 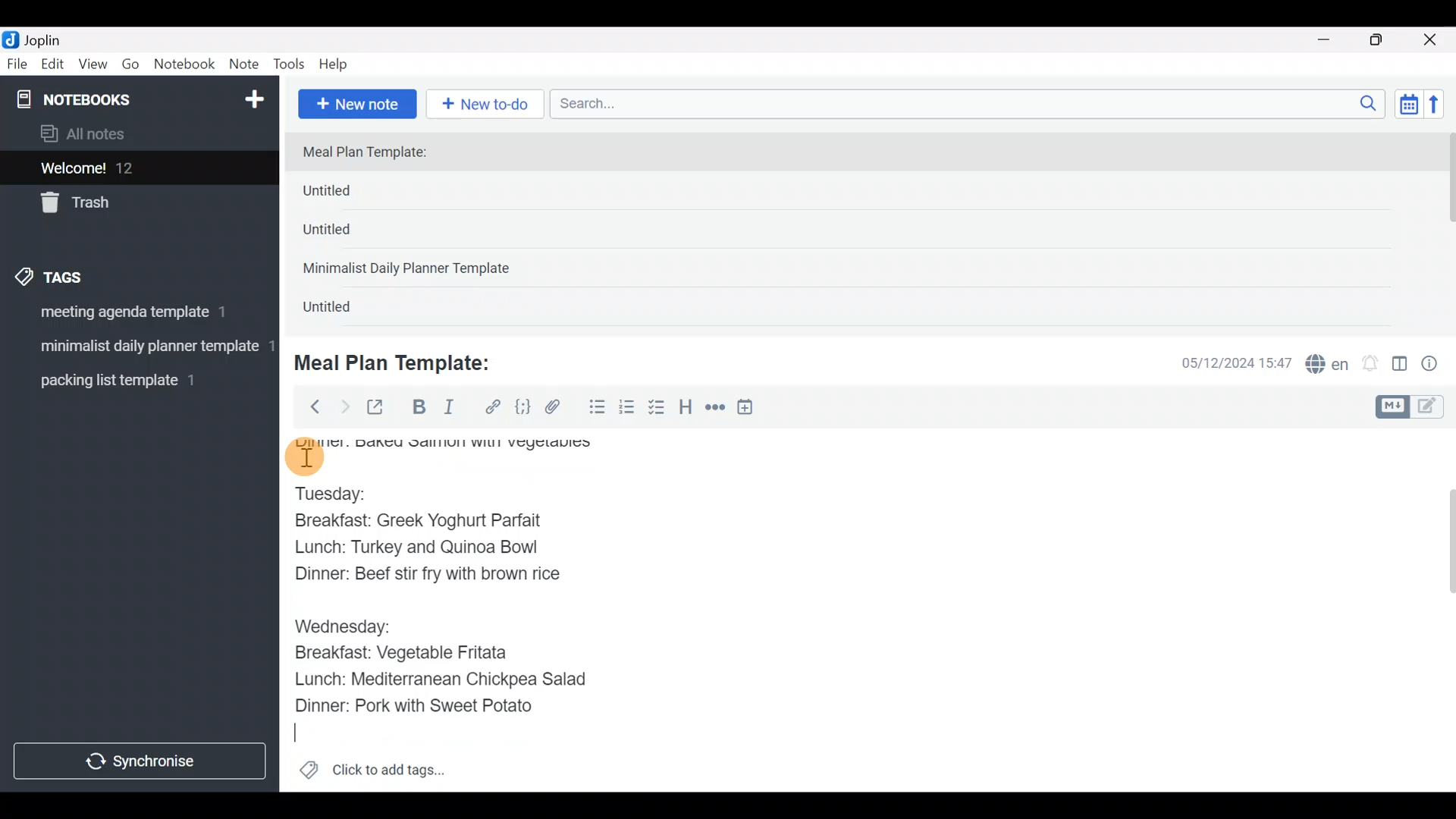 What do you see at coordinates (374, 153) in the screenshot?
I see `Meal Plan Template:` at bounding box center [374, 153].